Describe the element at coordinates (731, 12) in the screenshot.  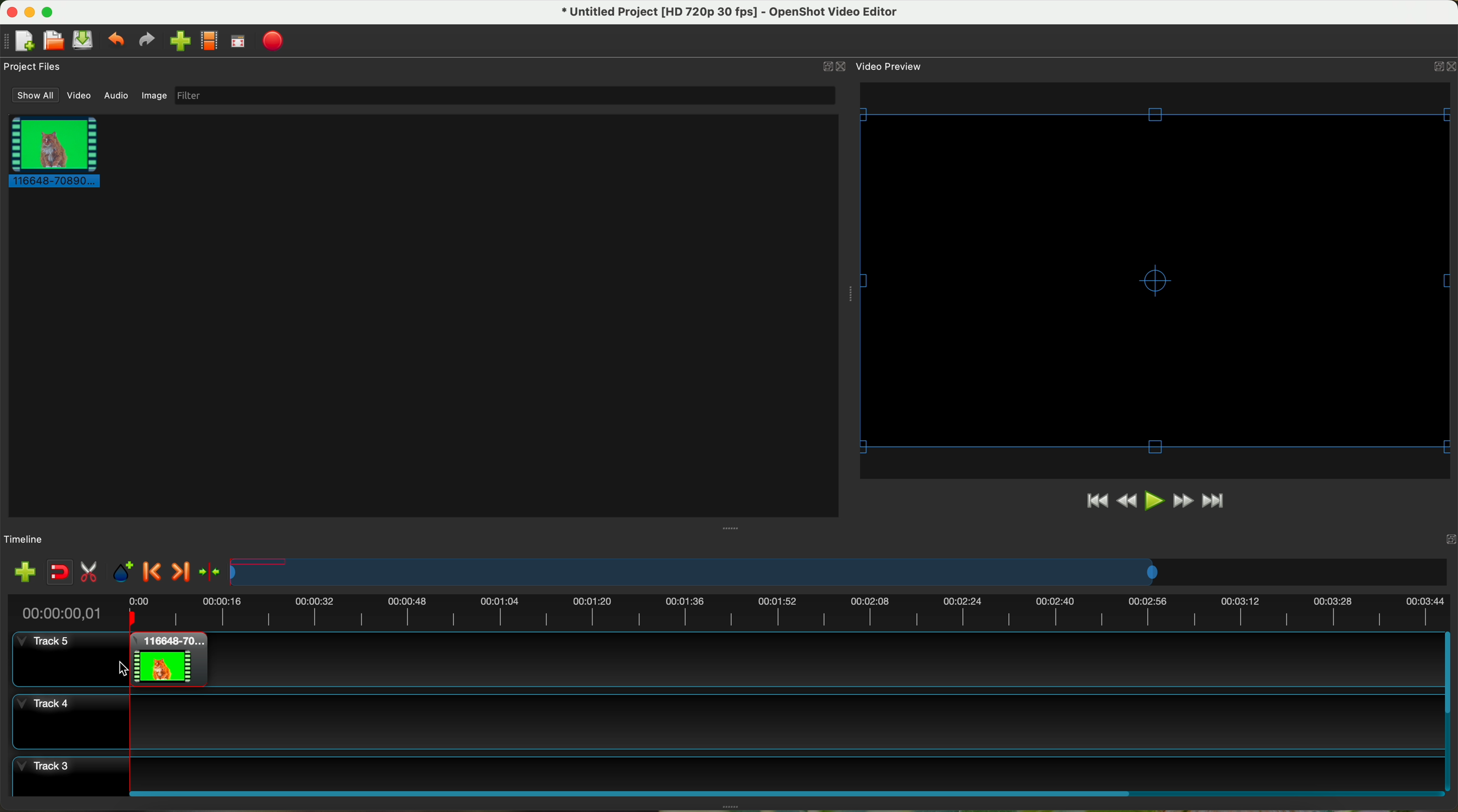
I see `file name` at that location.